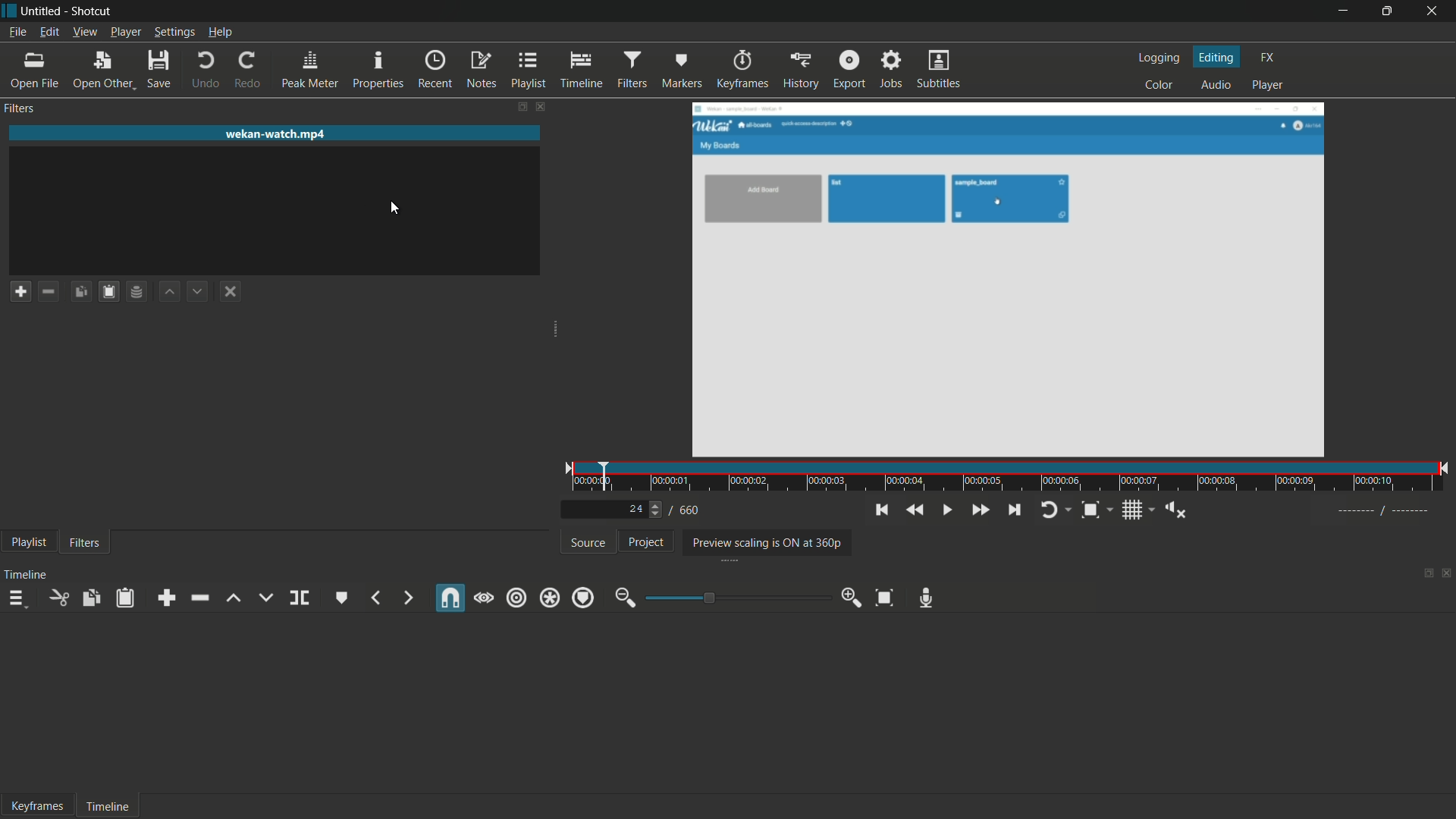 The image size is (1456, 819). I want to click on deselect a filter, so click(230, 292).